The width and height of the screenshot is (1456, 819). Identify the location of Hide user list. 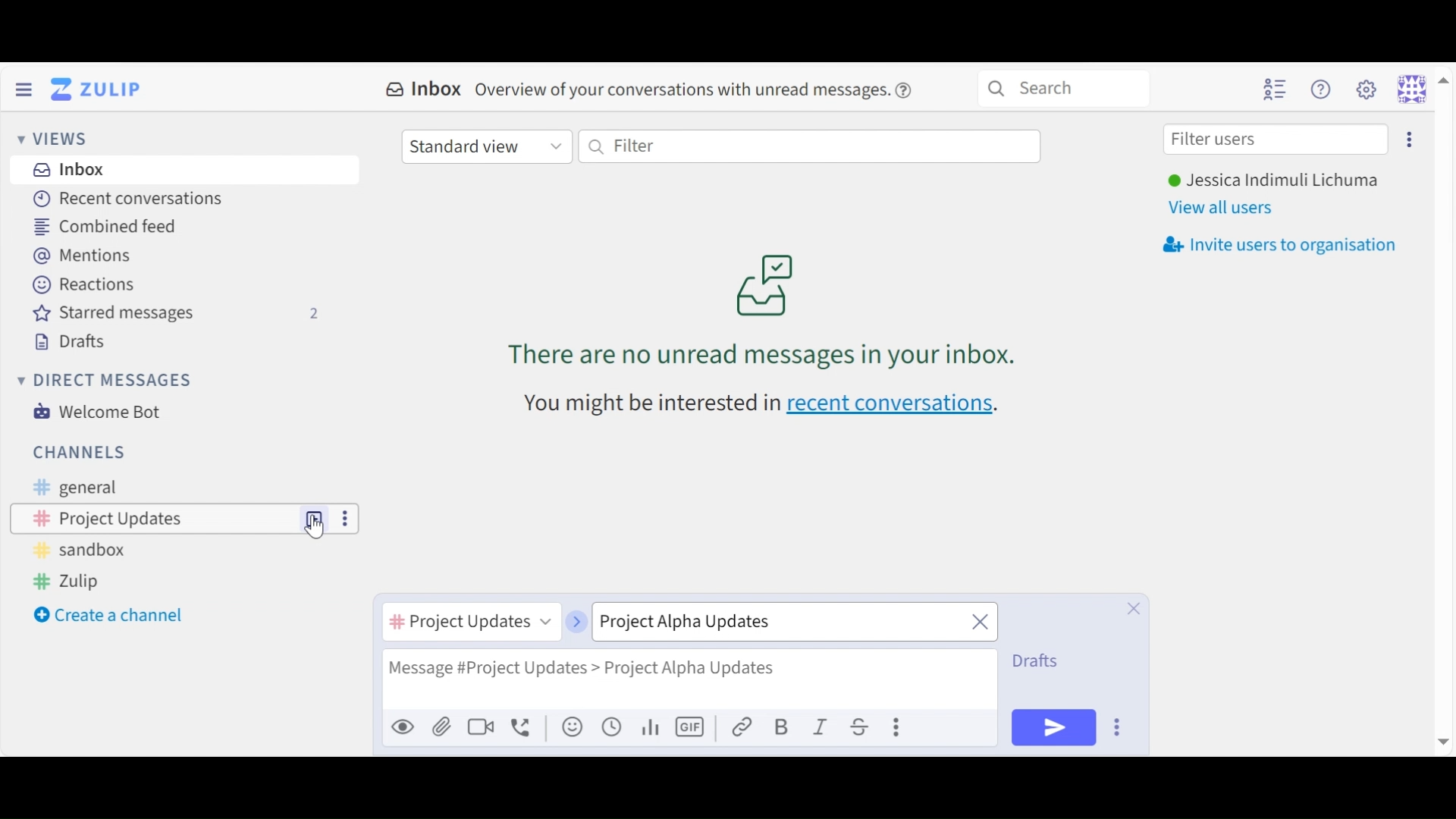
(1275, 89).